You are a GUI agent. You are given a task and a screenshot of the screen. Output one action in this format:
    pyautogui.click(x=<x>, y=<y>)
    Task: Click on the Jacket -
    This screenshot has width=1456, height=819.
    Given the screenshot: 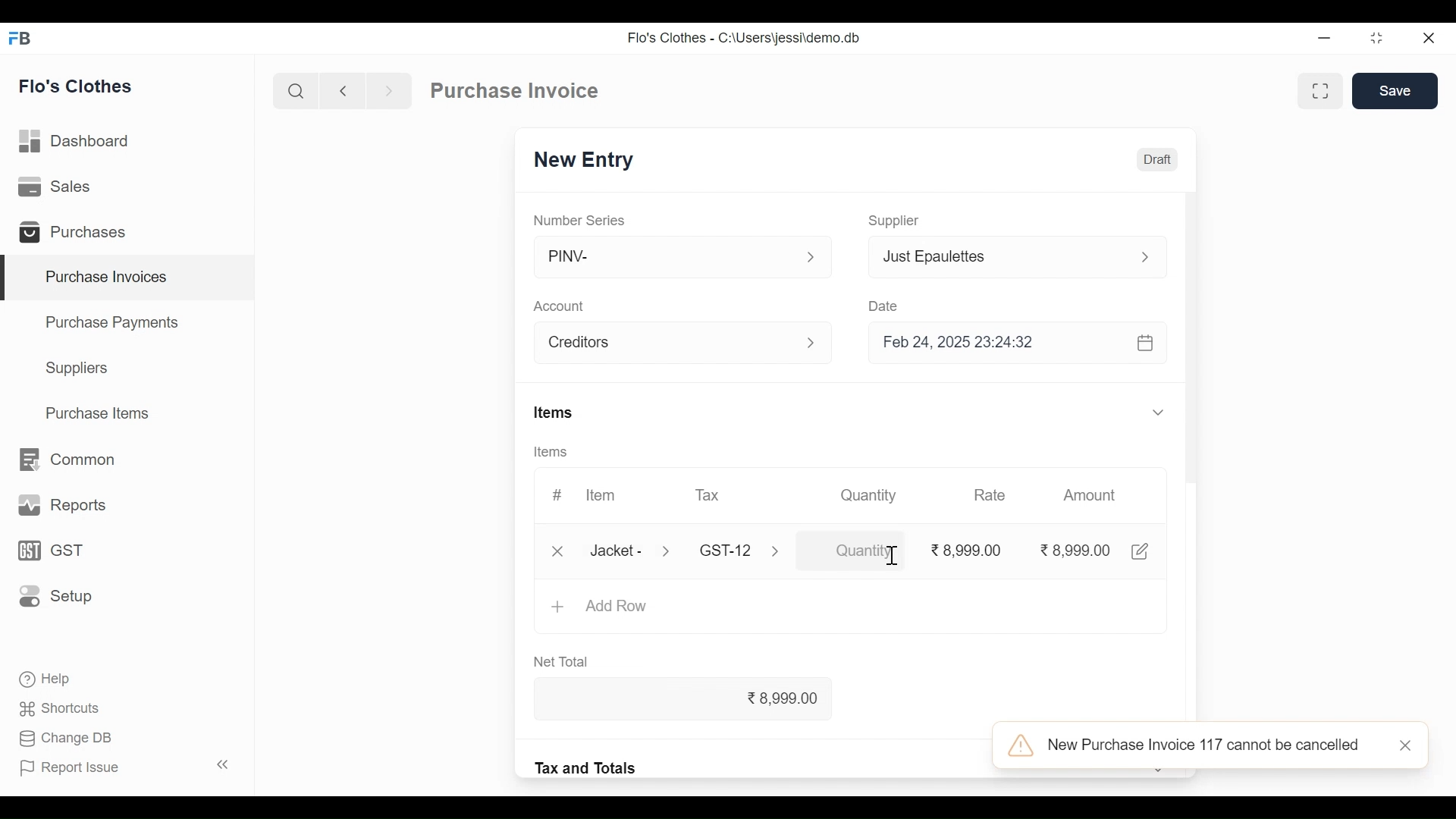 What is the action you would take?
    pyautogui.click(x=617, y=550)
    